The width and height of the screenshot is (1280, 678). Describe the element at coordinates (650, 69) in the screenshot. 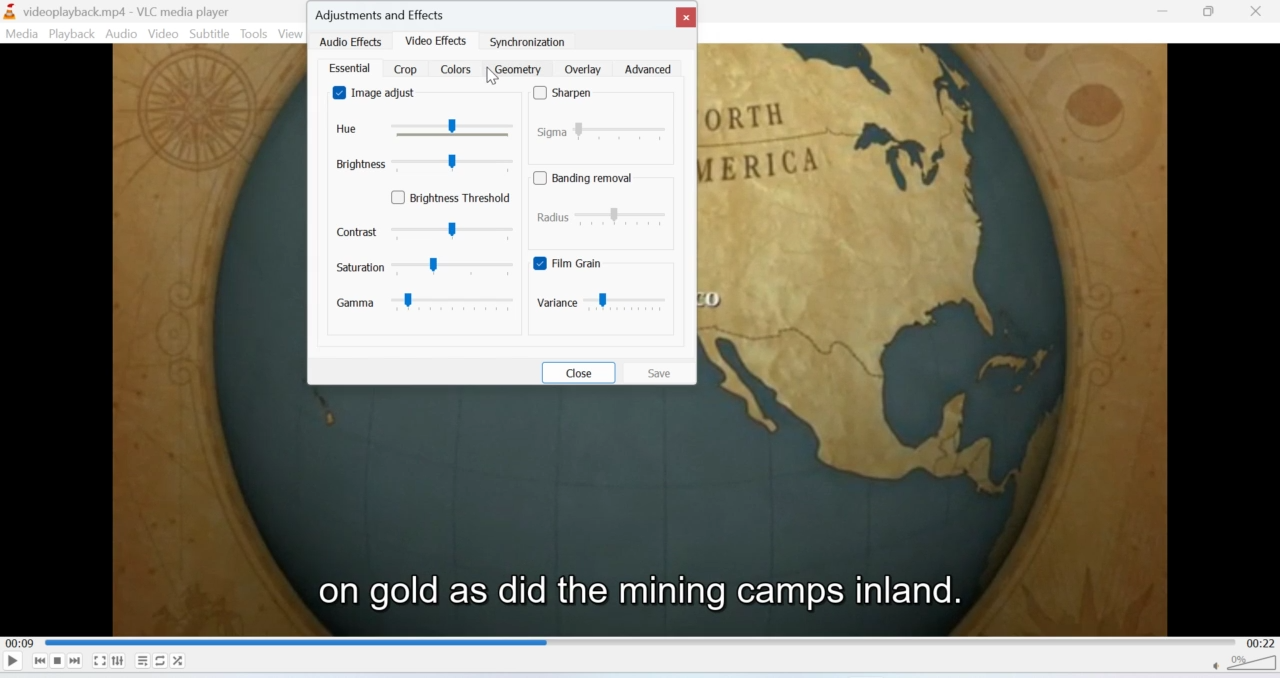

I see `advanced` at that location.